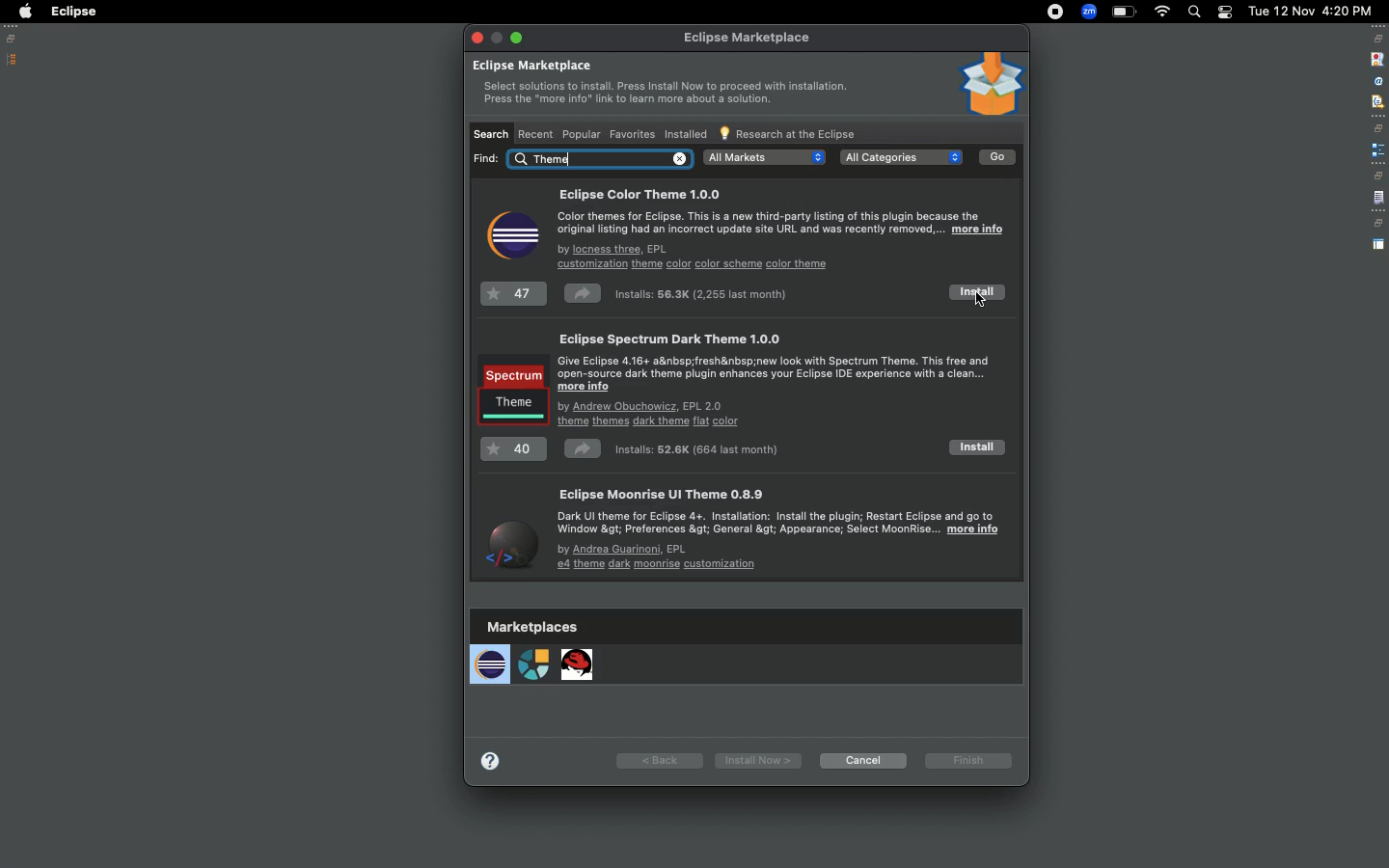  I want to click on stop, so click(1375, 58).